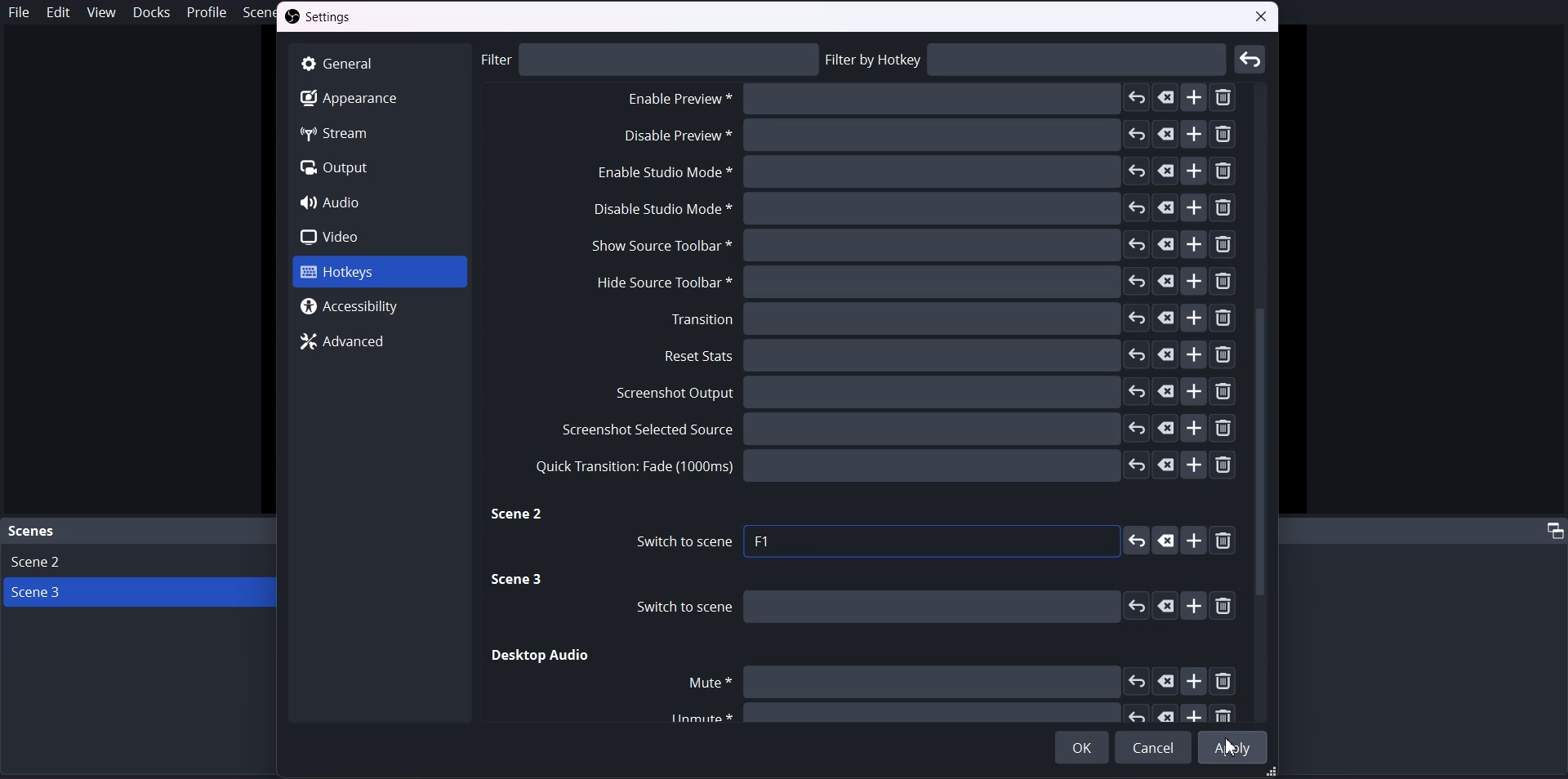  I want to click on Vertical scroll bar, so click(1263, 400).